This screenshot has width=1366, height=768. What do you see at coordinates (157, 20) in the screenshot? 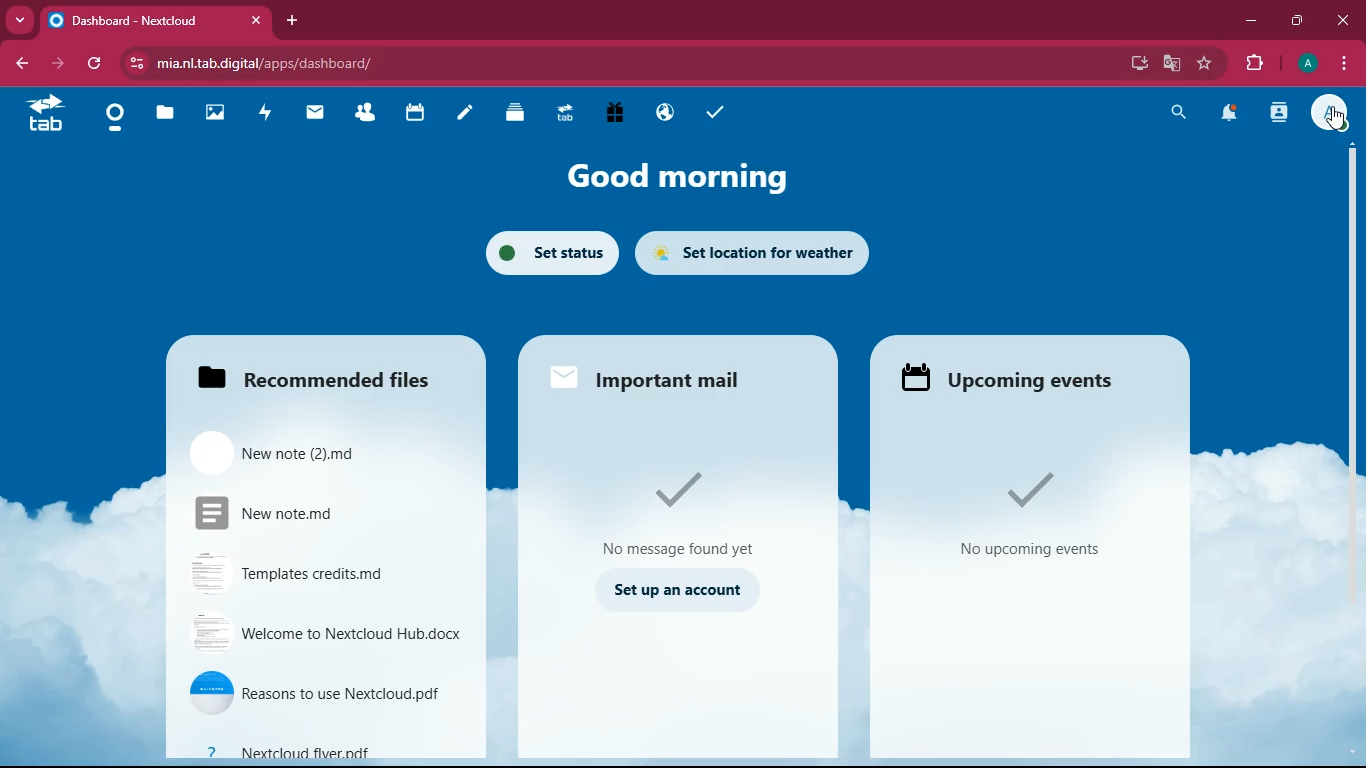
I see `tab` at bounding box center [157, 20].